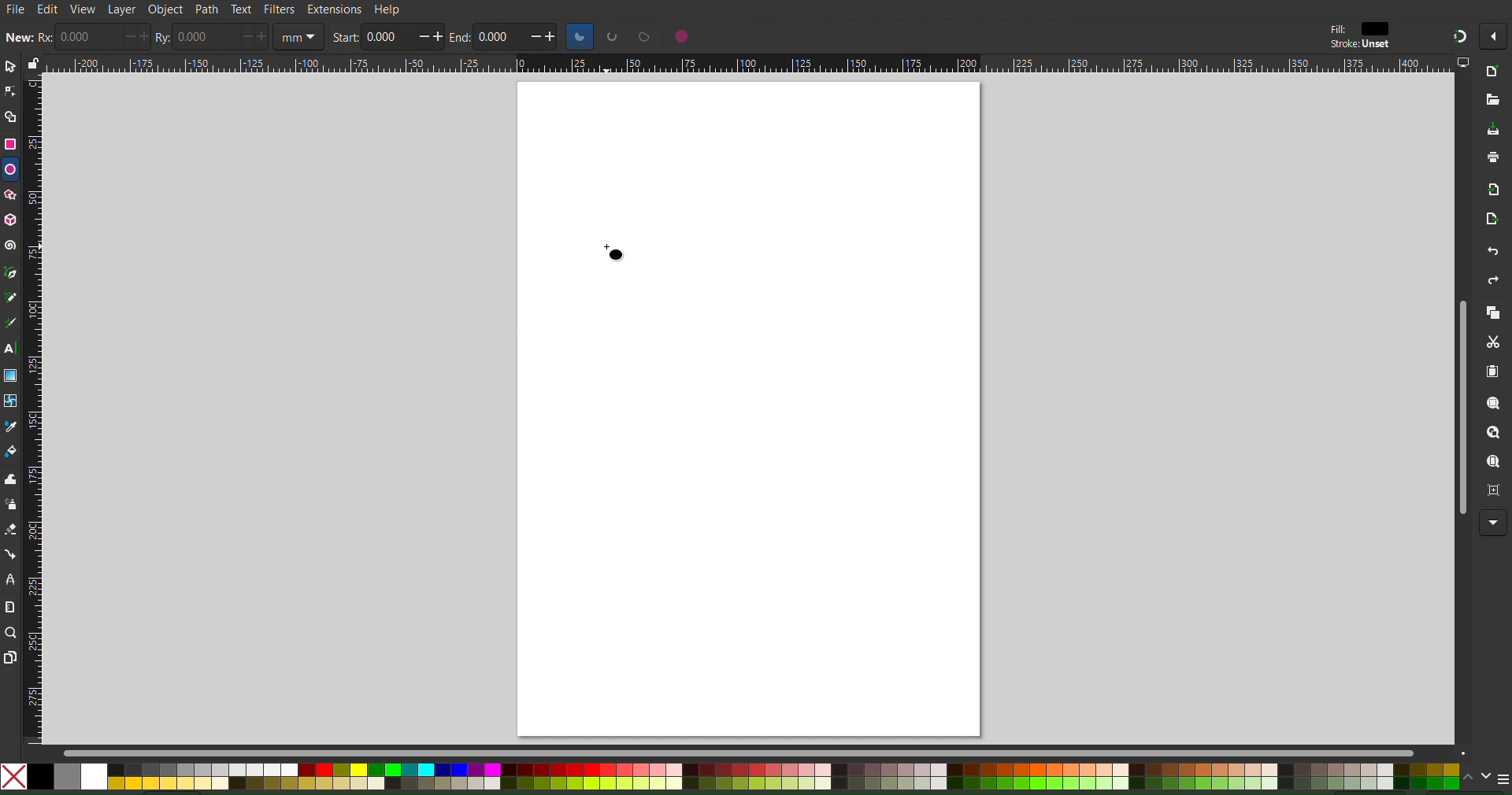  I want to click on Help, so click(387, 9).